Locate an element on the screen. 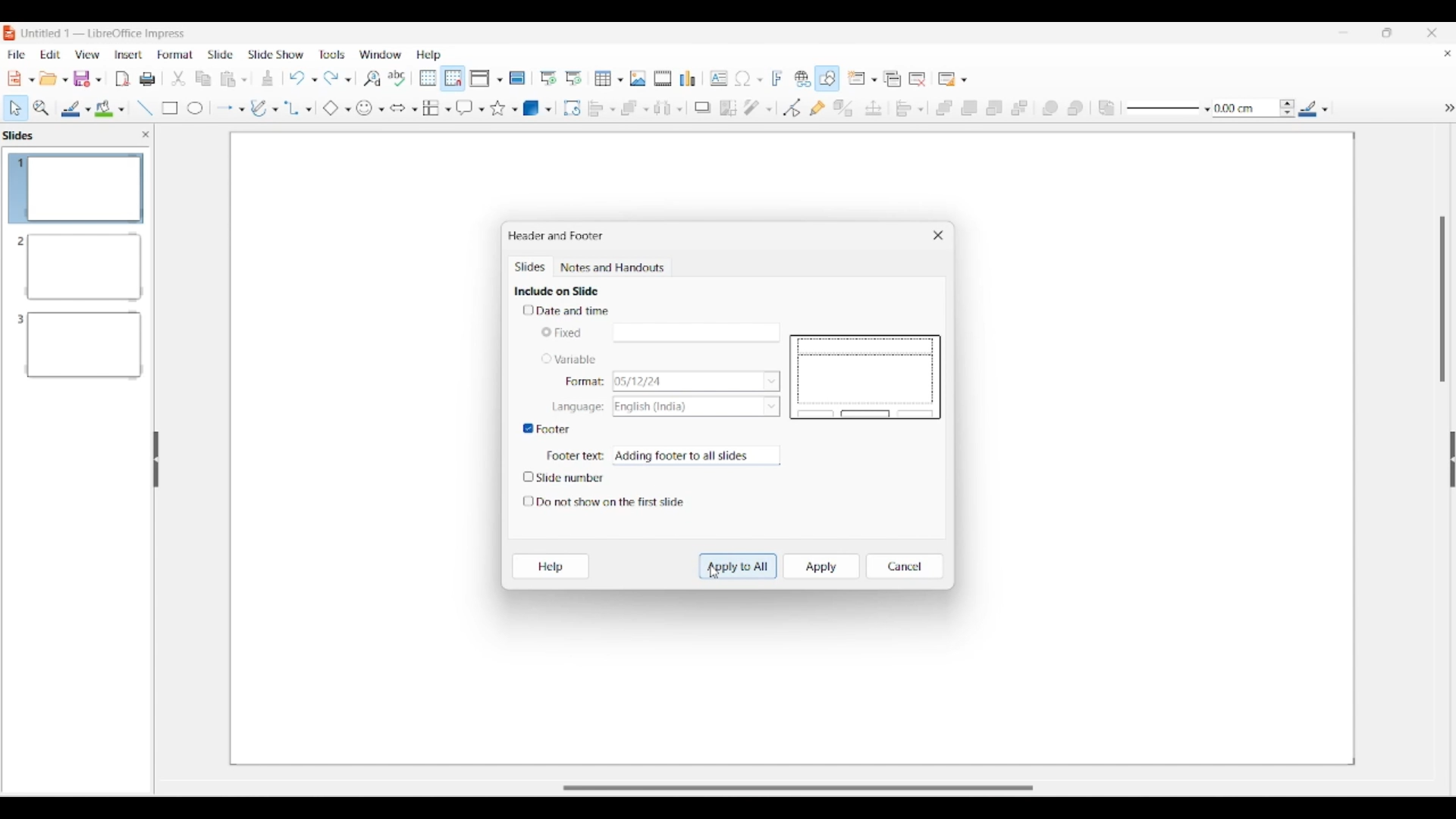 Image resolution: width=1456 pixels, height=819 pixels. Indicates language options is located at coordinates (576, 408).